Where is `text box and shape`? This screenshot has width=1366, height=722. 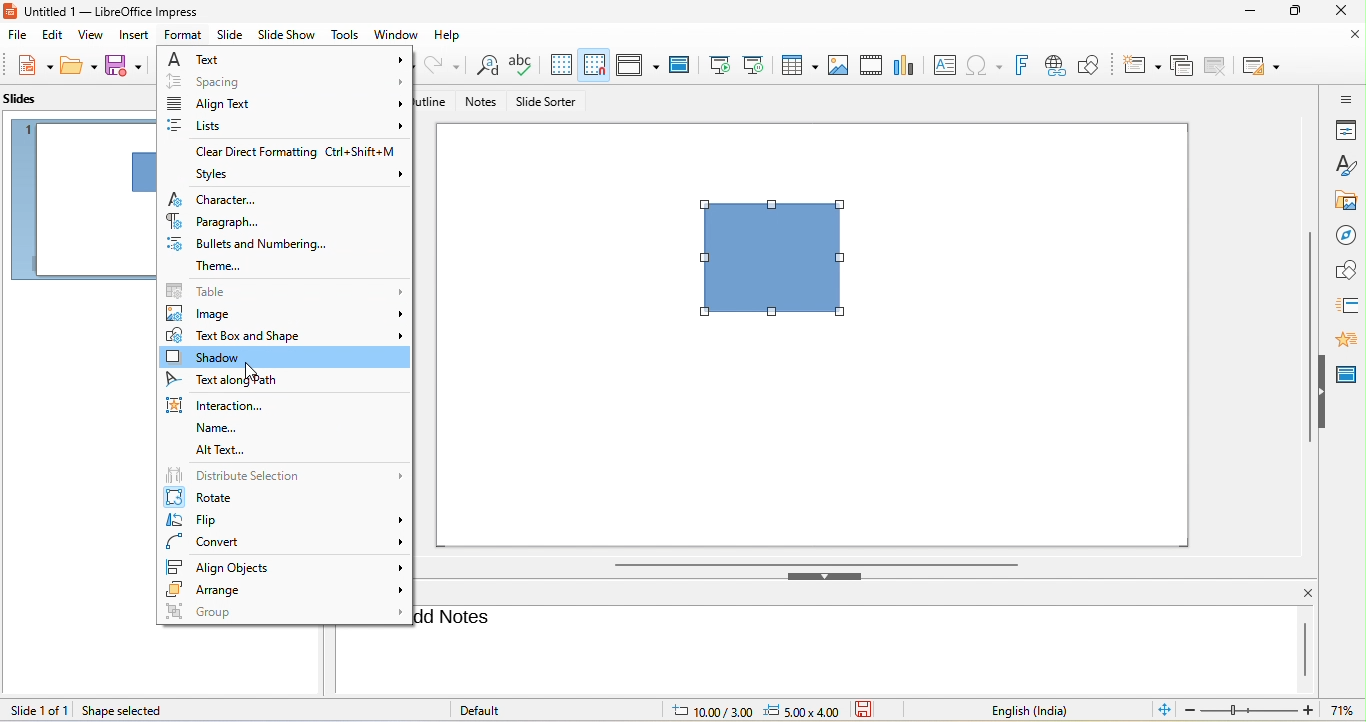
text box and shape is located at coordinates (285, 336).